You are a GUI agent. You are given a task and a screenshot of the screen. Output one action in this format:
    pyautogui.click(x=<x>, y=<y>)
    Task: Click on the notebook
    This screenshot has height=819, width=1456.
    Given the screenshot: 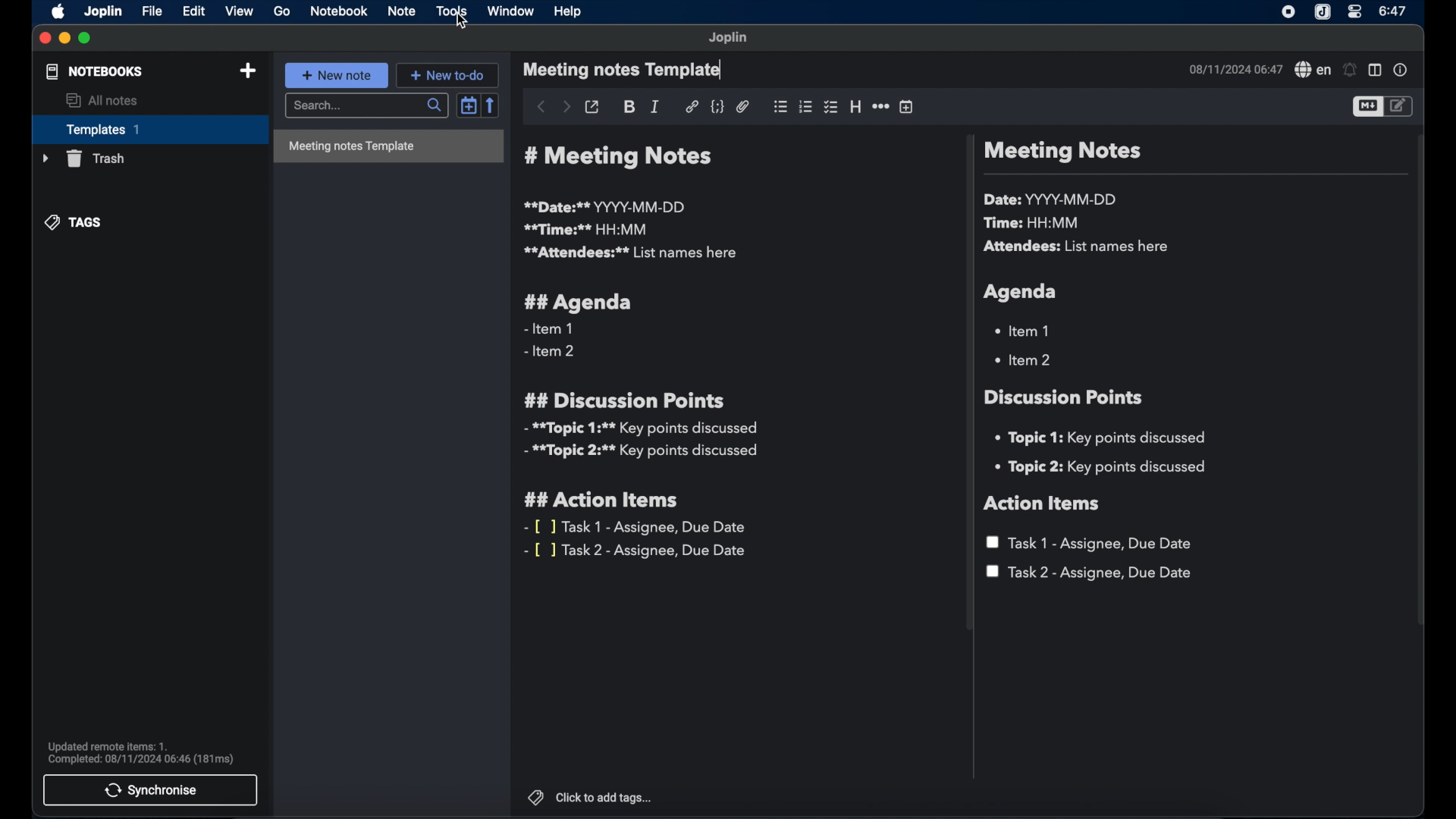 What is the action you would take?
    pyautogui.click(x=338, y=12)
    